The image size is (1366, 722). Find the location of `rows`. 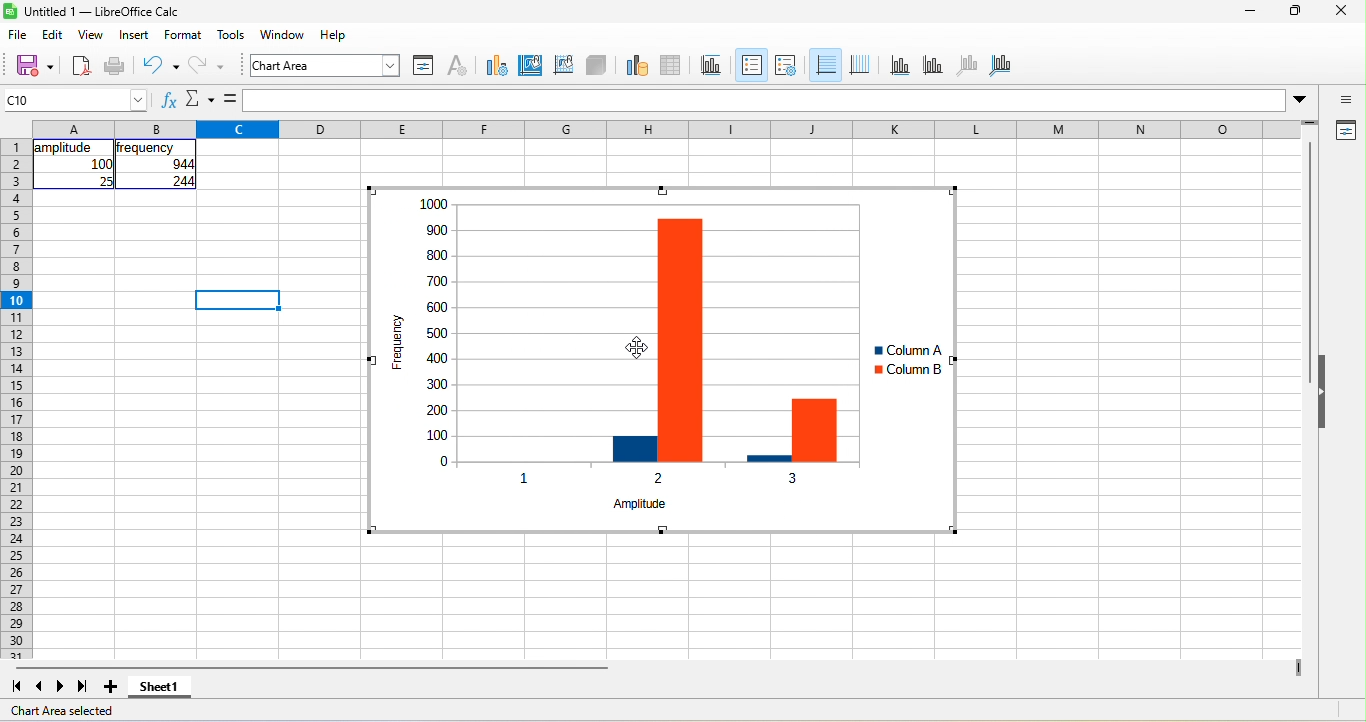

rows is located at coordinates (16, 399).